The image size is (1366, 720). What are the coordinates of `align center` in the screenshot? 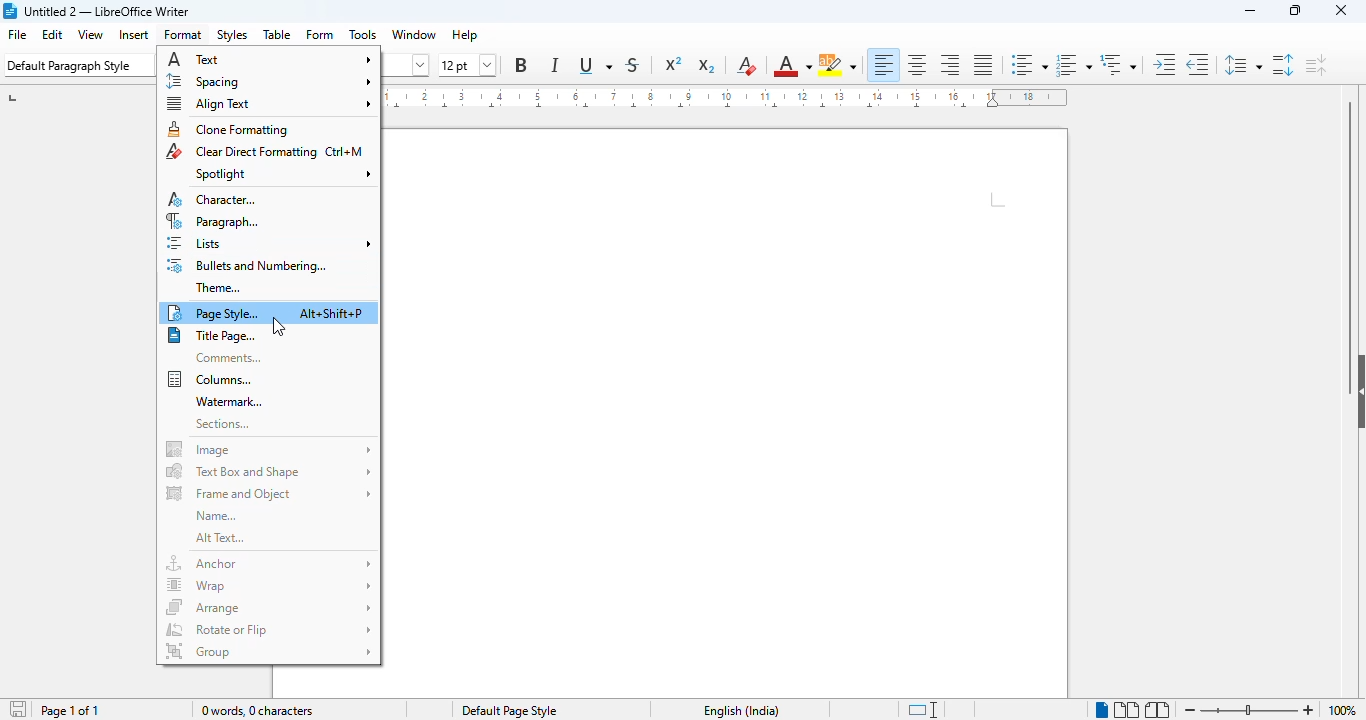 It's located at (918, 64).